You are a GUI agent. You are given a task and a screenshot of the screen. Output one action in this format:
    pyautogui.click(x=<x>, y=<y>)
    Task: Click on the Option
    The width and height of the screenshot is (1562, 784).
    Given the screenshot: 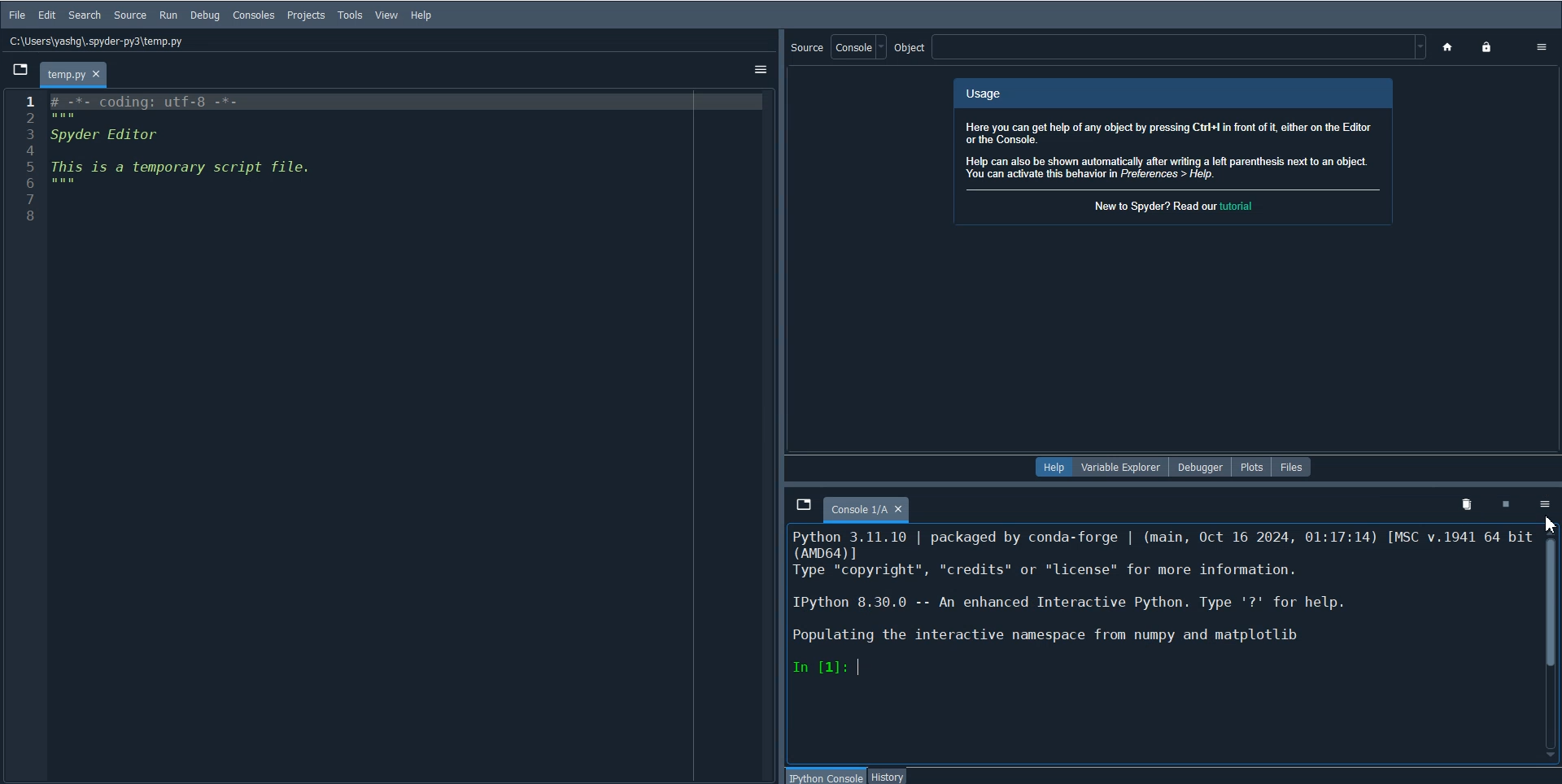 What is the action you would take?
    pyautogui.click(x=758, y=70)
    